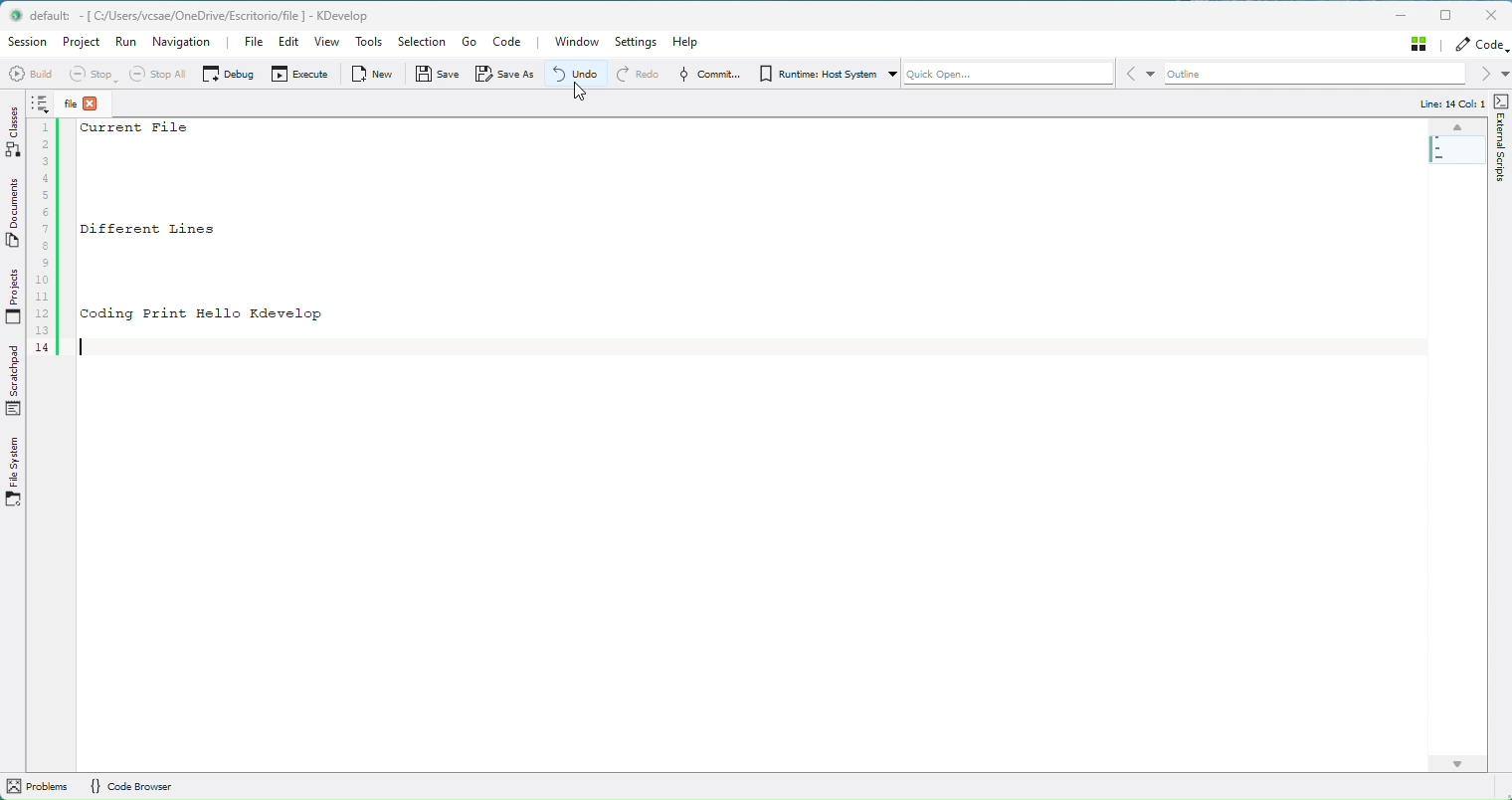 This screenshot has width=1512, height=800. I want to click on Maximize, so click(1445, 14).